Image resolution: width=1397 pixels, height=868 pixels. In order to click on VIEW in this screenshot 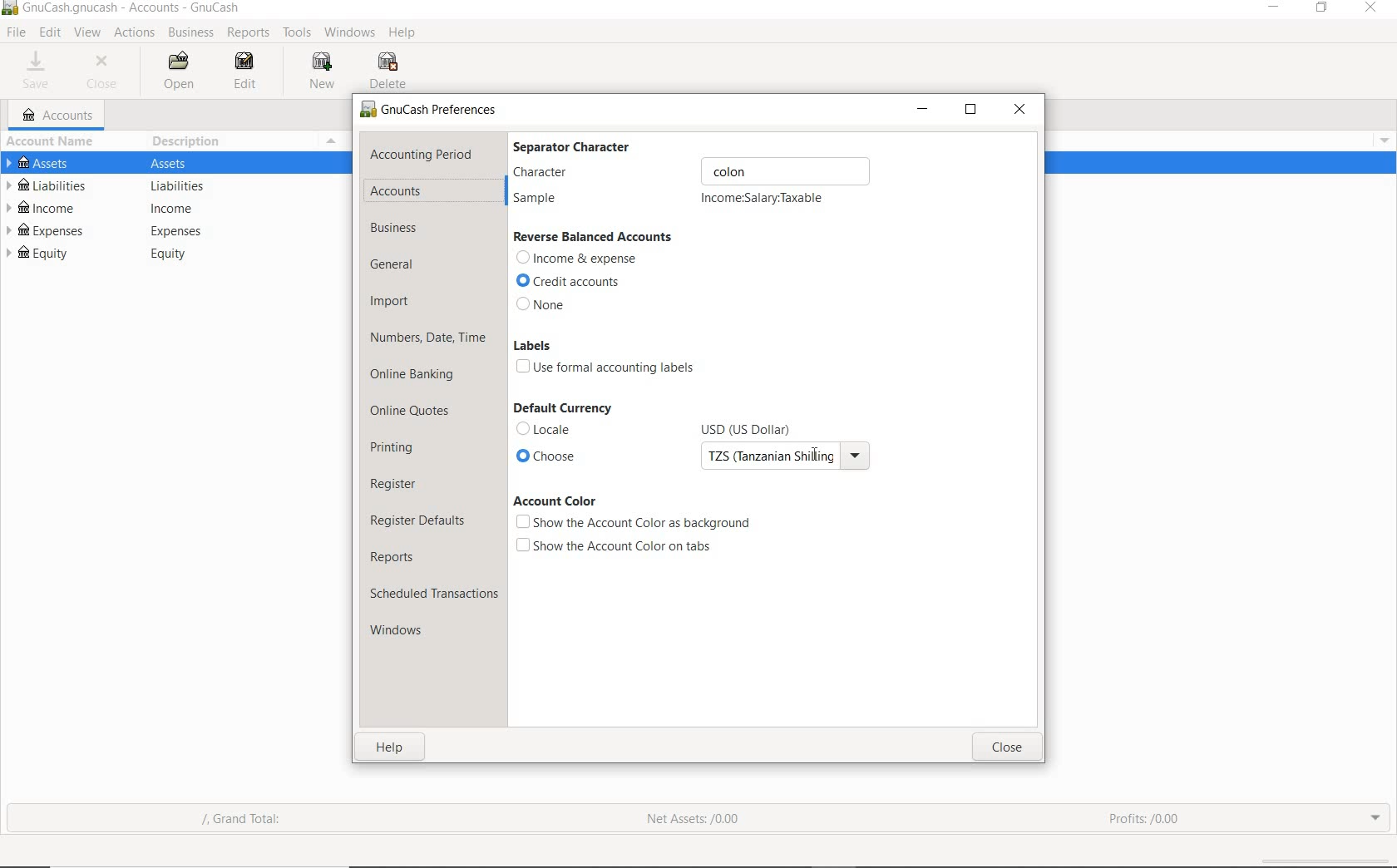, I will do `click(87, 31)`.